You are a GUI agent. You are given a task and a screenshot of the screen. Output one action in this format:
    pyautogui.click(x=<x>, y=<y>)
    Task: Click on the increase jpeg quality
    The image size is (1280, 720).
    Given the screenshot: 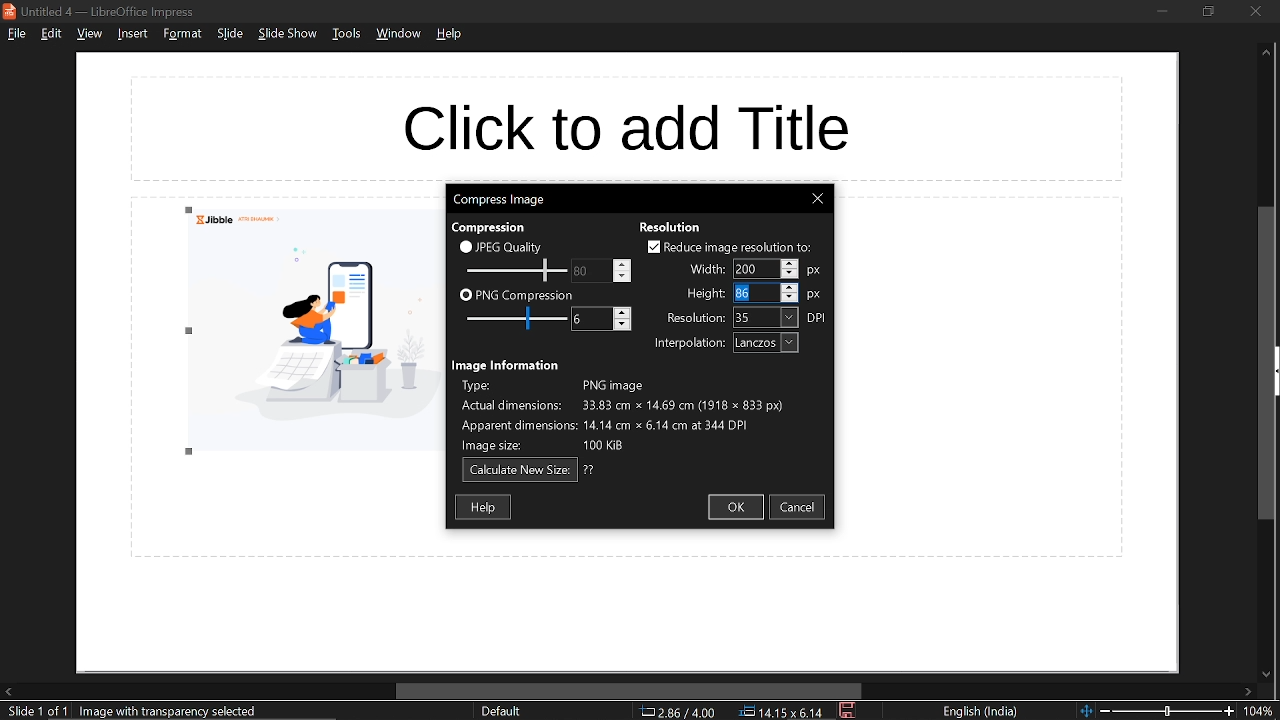 What is the action you would take?
    pyautogui.click(x=622, y=264)
    